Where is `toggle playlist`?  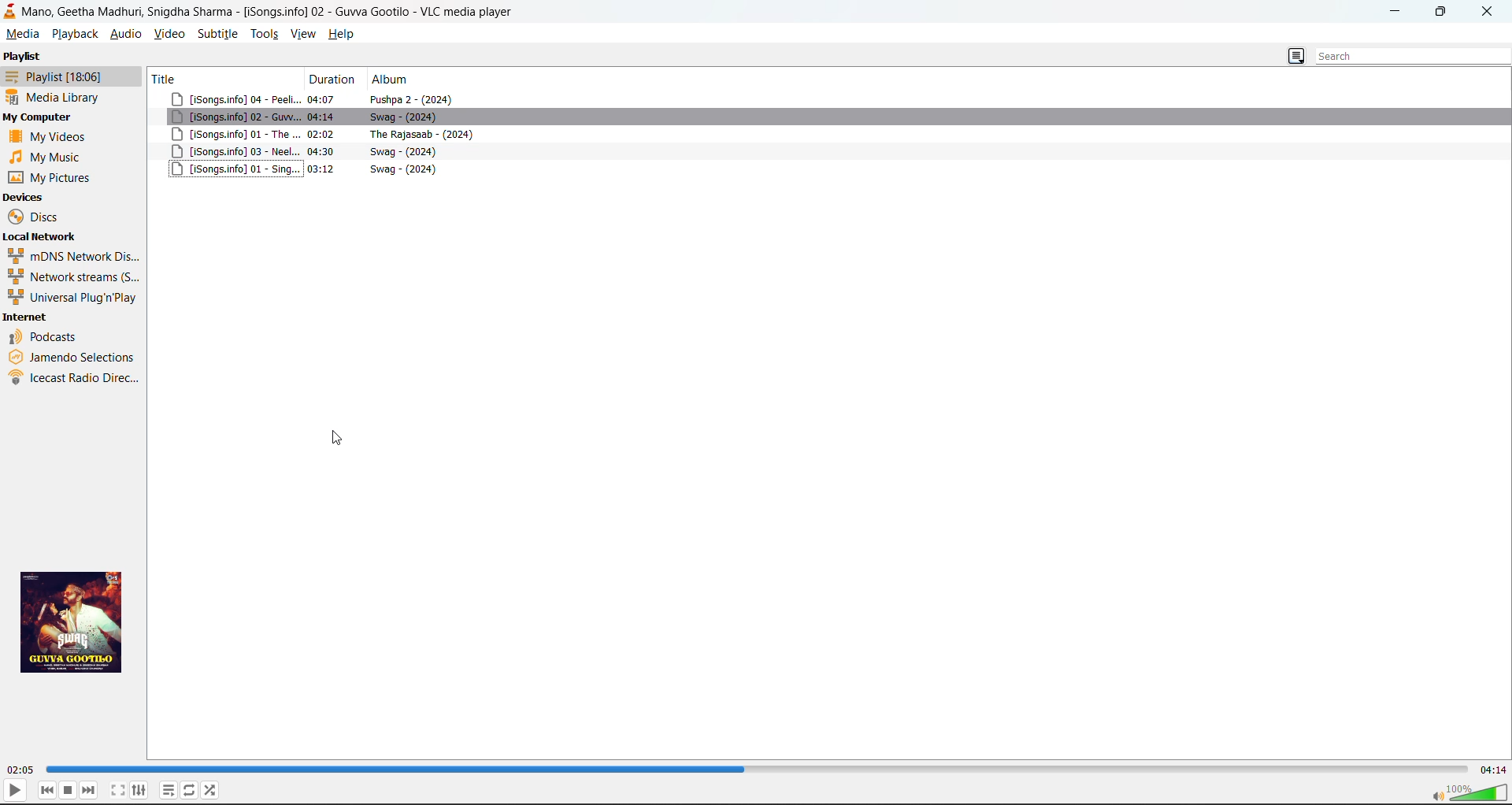
toggle playlist is located at coordinates (168, 791).